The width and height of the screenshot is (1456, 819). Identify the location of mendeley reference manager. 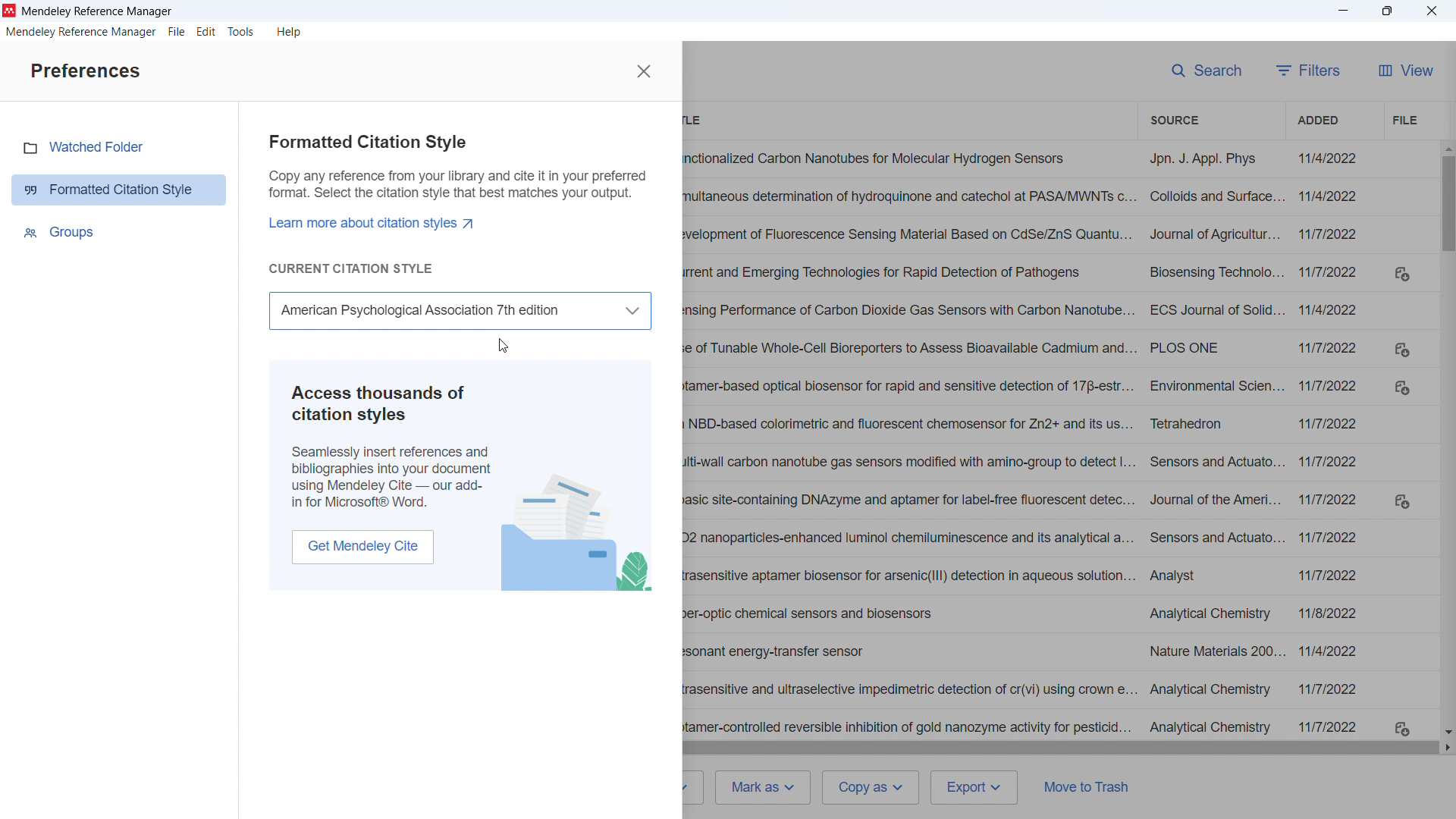
(80, 32).